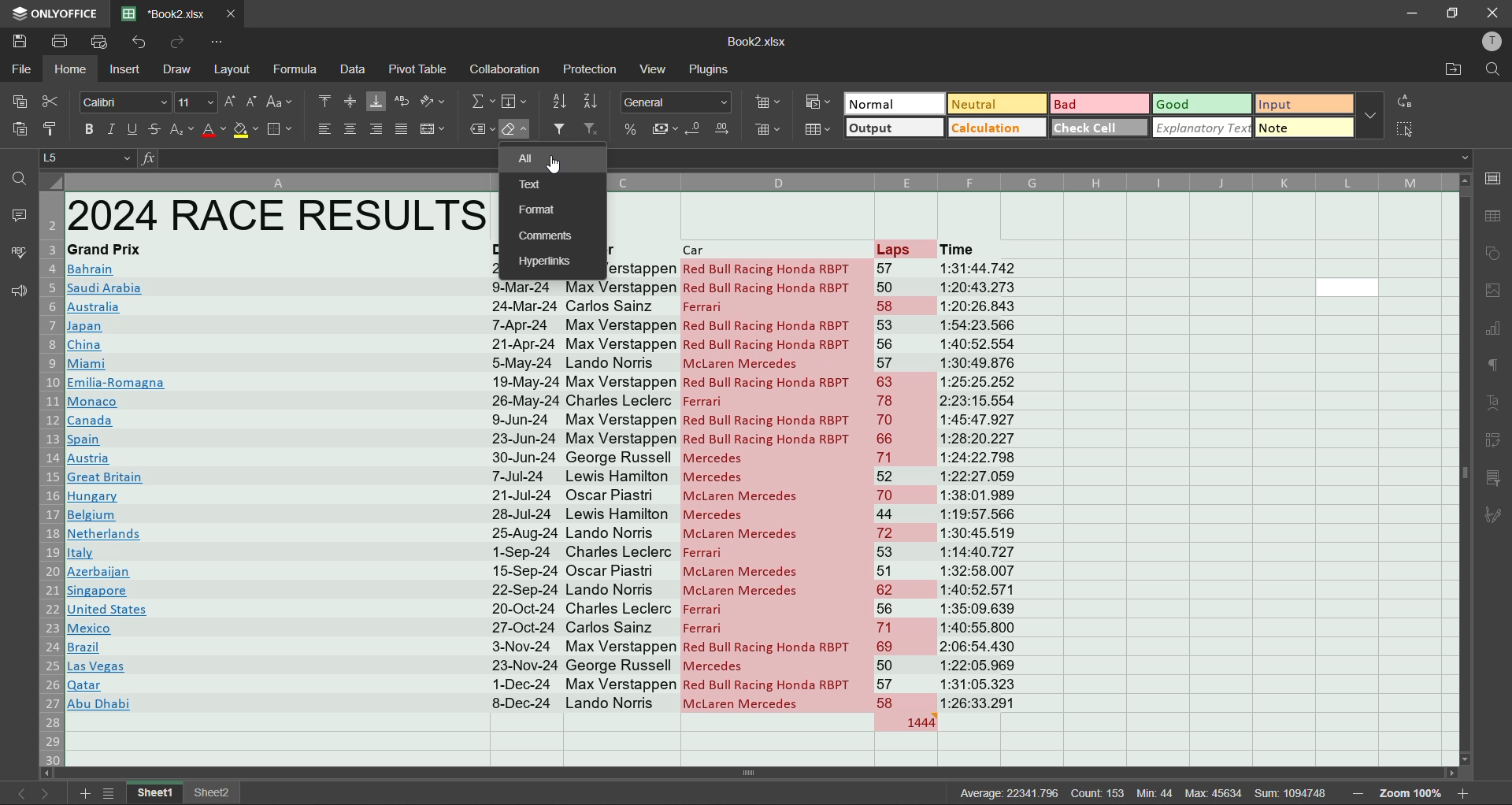  I want to click on delete cells, so click(764, 128).